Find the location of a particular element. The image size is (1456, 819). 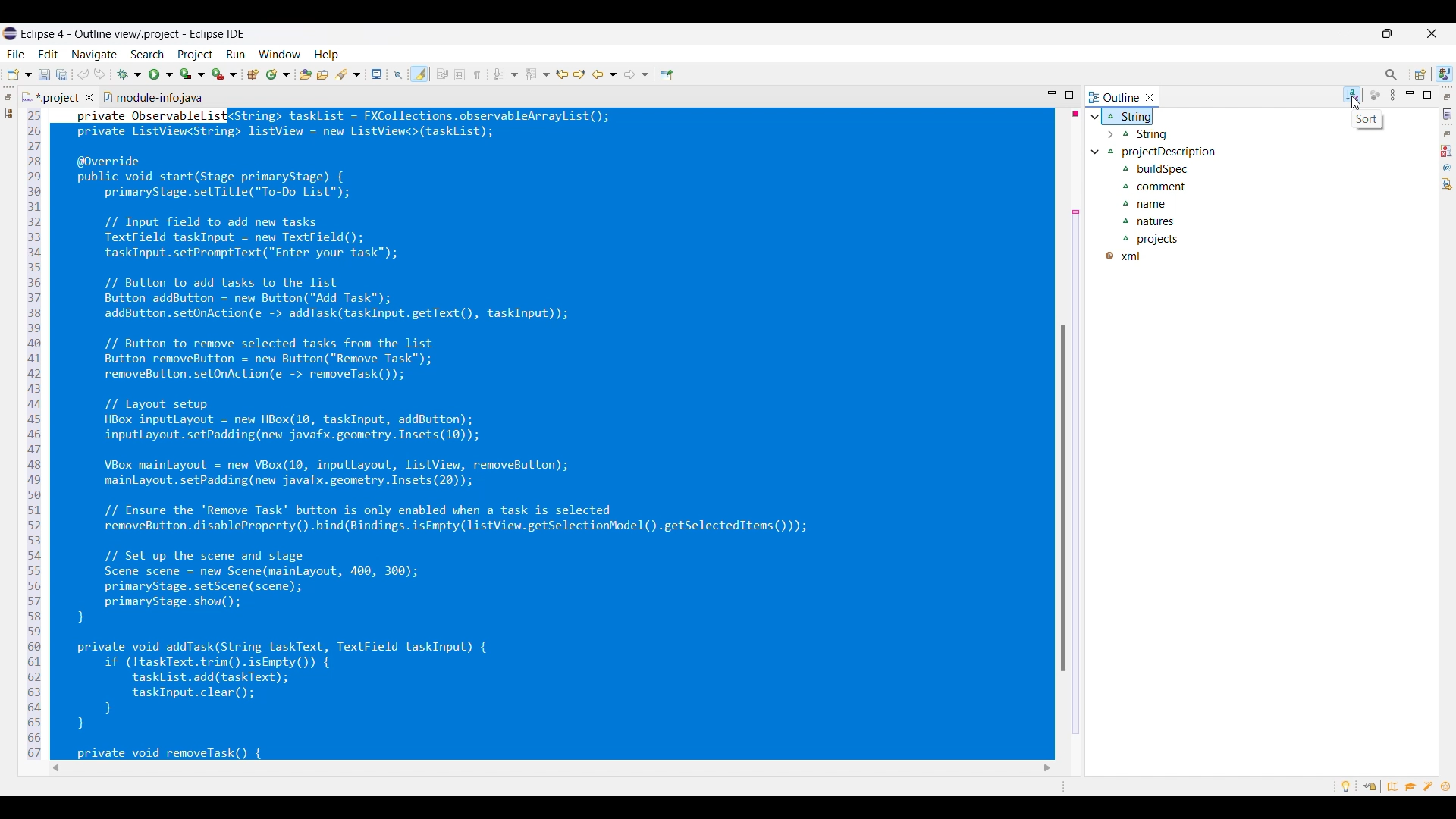

Toggle highlight current selection is located at coordinates (419, 74).